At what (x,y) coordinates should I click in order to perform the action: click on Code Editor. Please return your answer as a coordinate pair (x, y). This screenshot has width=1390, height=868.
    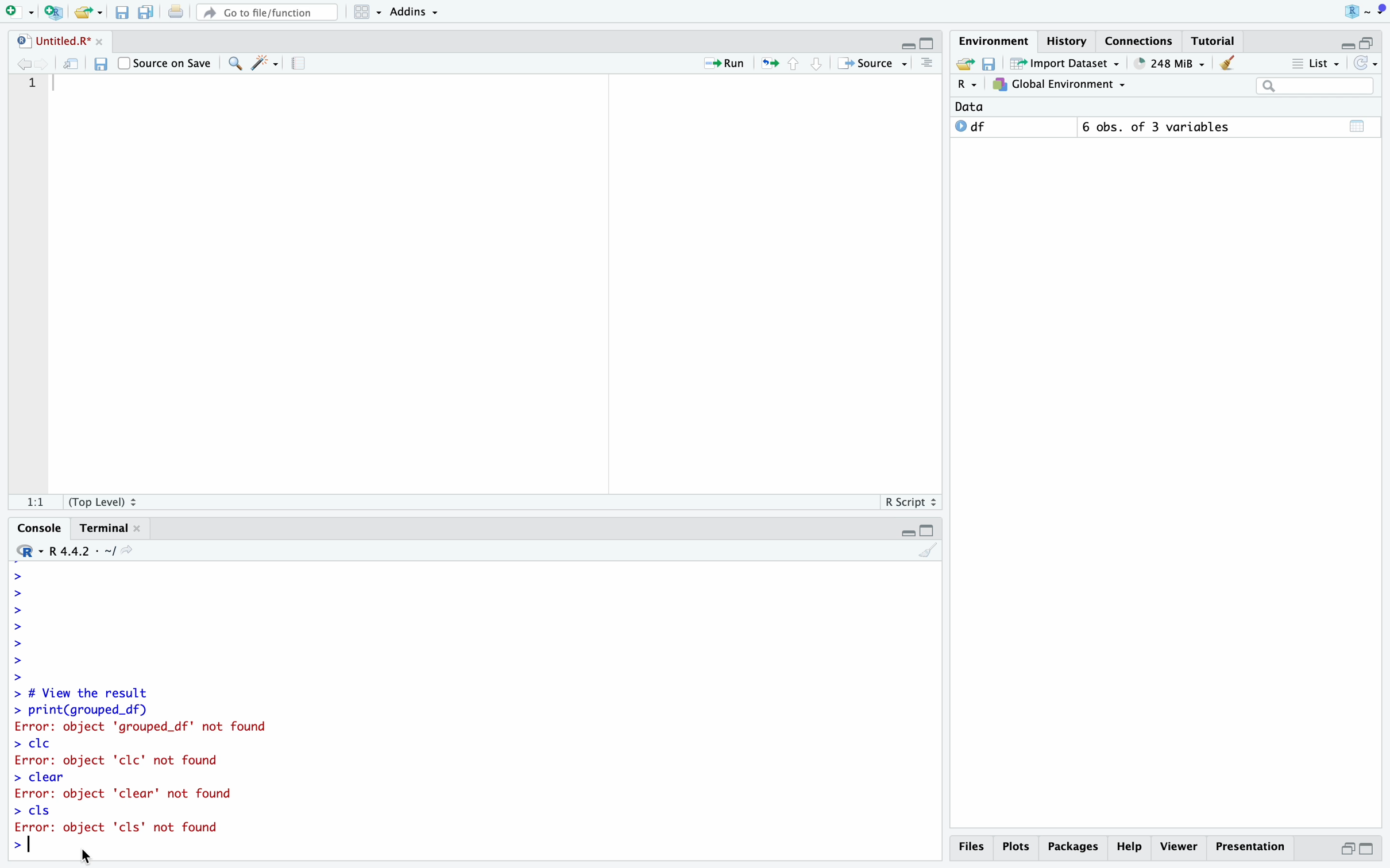
    Looking at the image, I should click on (500, 282).